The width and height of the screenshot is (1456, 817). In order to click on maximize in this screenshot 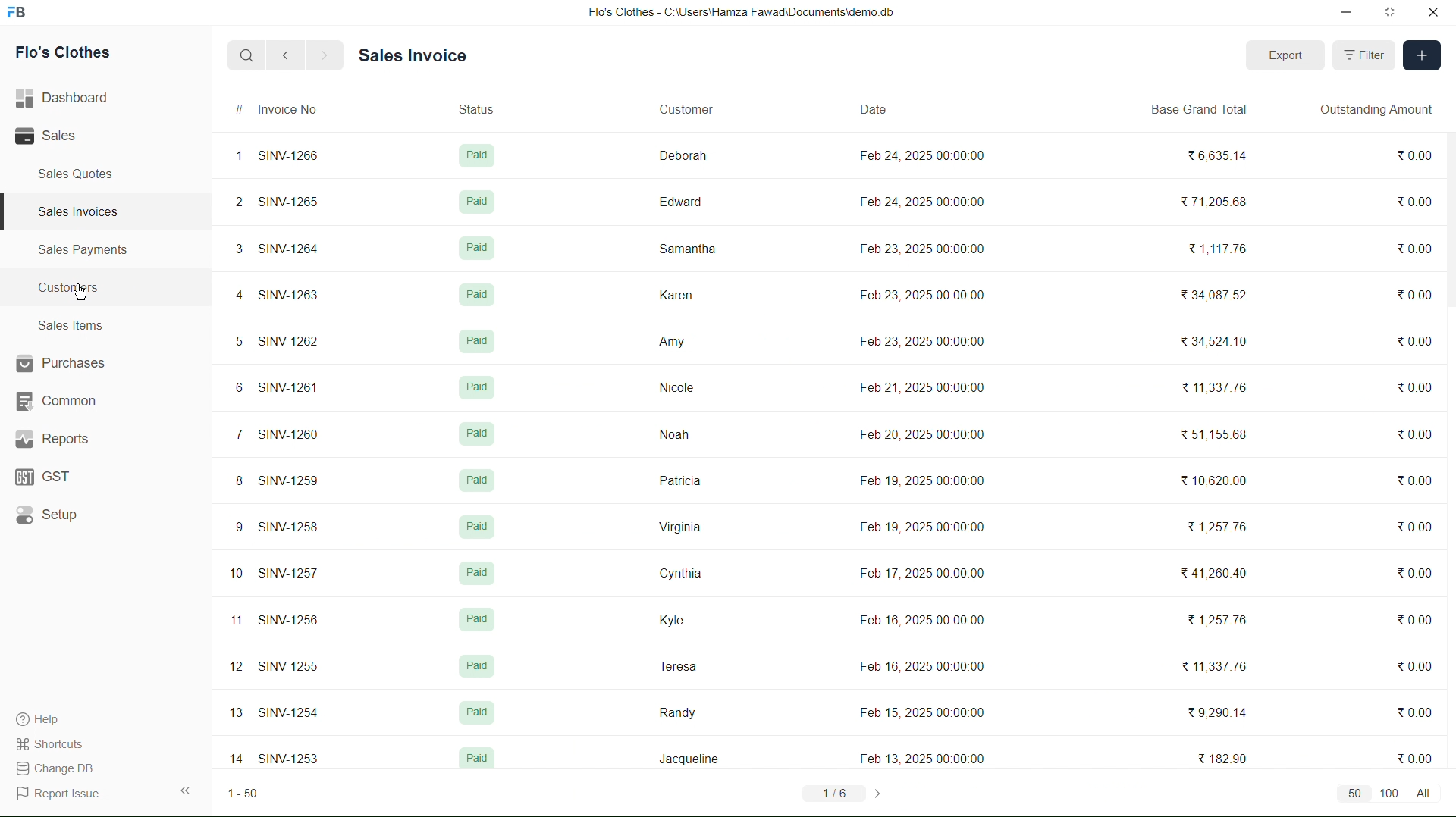, I will do `click(1392, 14)`.